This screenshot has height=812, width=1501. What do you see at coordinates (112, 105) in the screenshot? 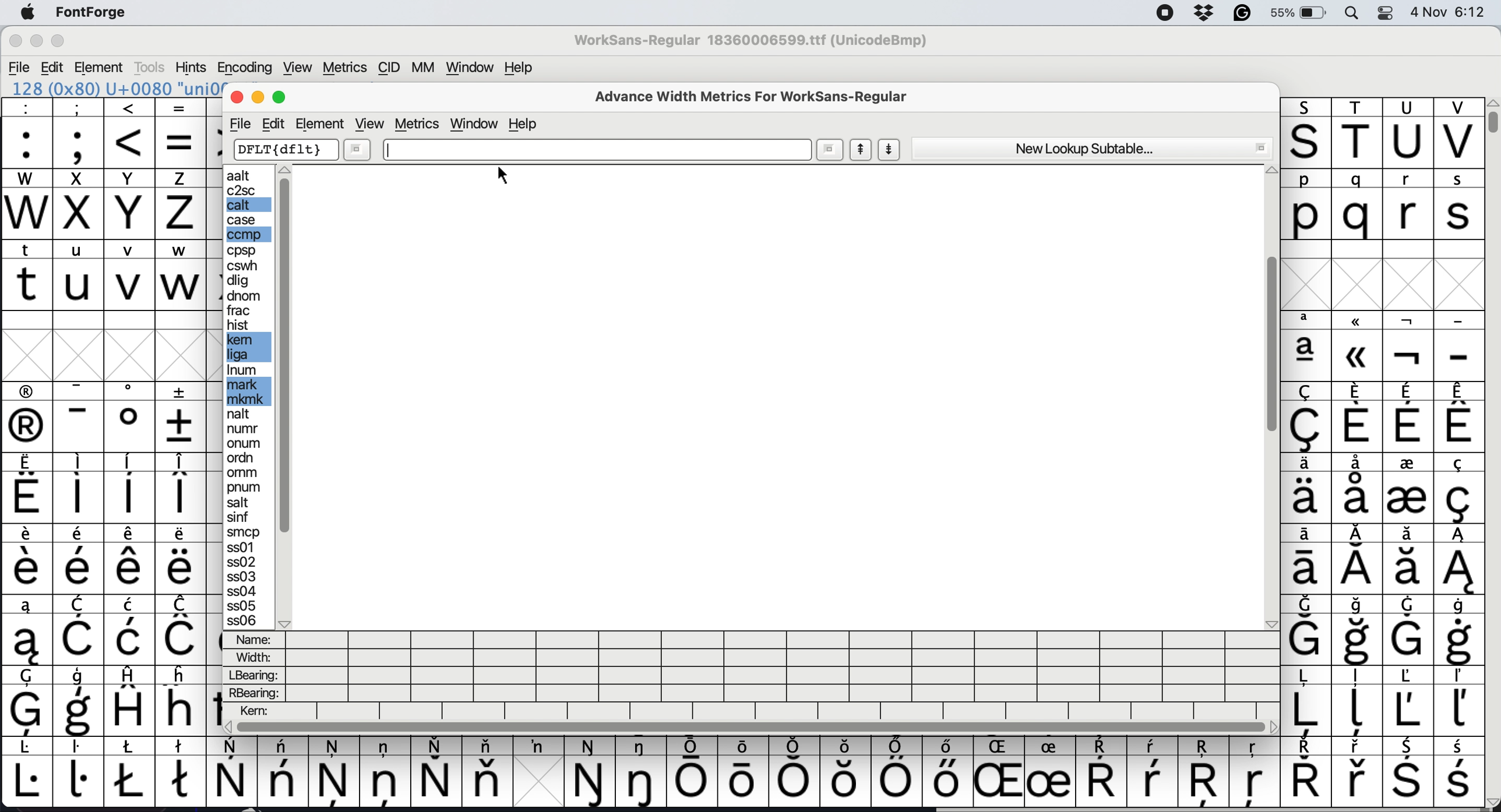
I see `special characters` at bounding box center [112, 105].